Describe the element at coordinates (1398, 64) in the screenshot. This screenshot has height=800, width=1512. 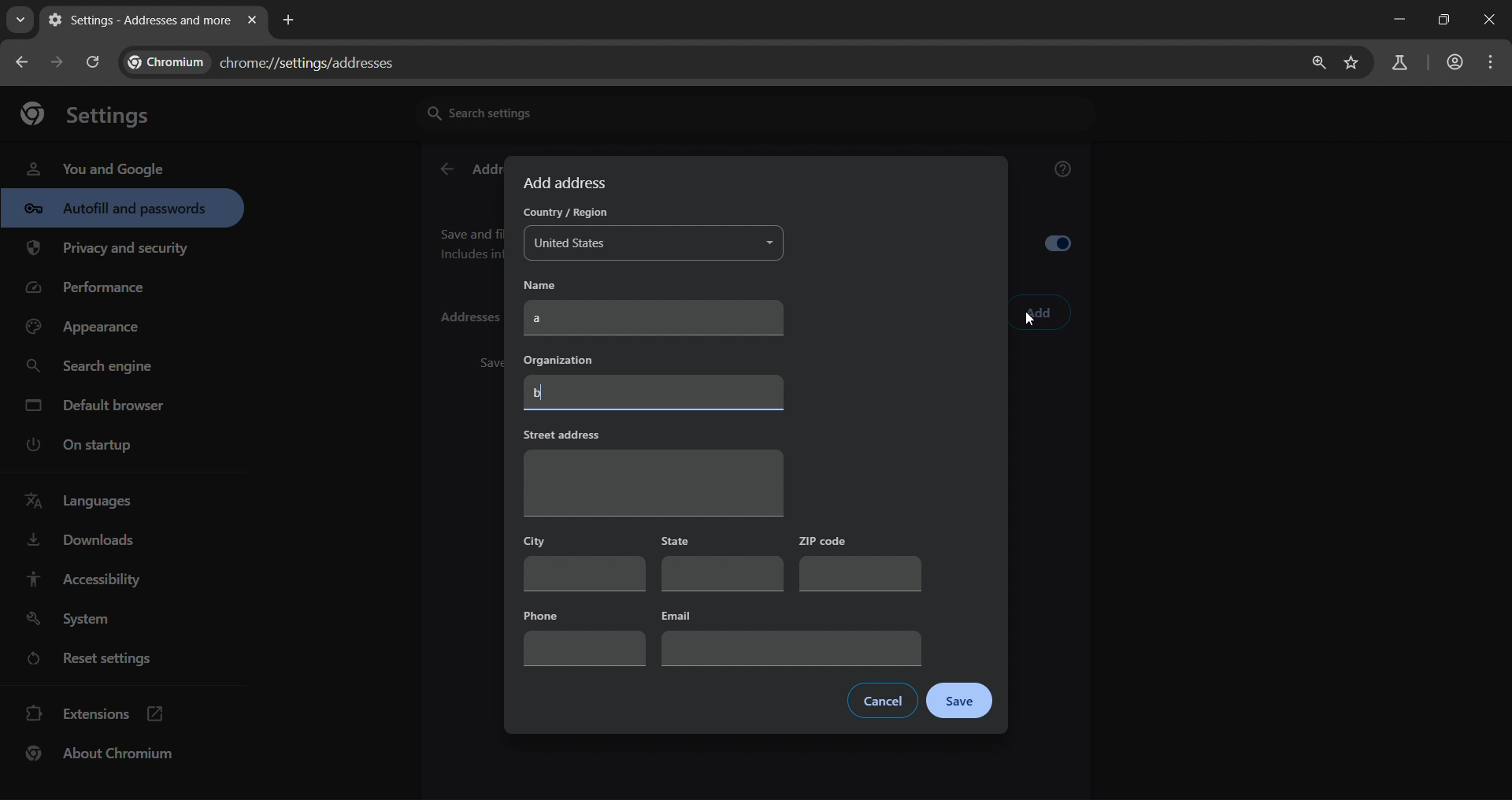
I see `search panel` at that location.